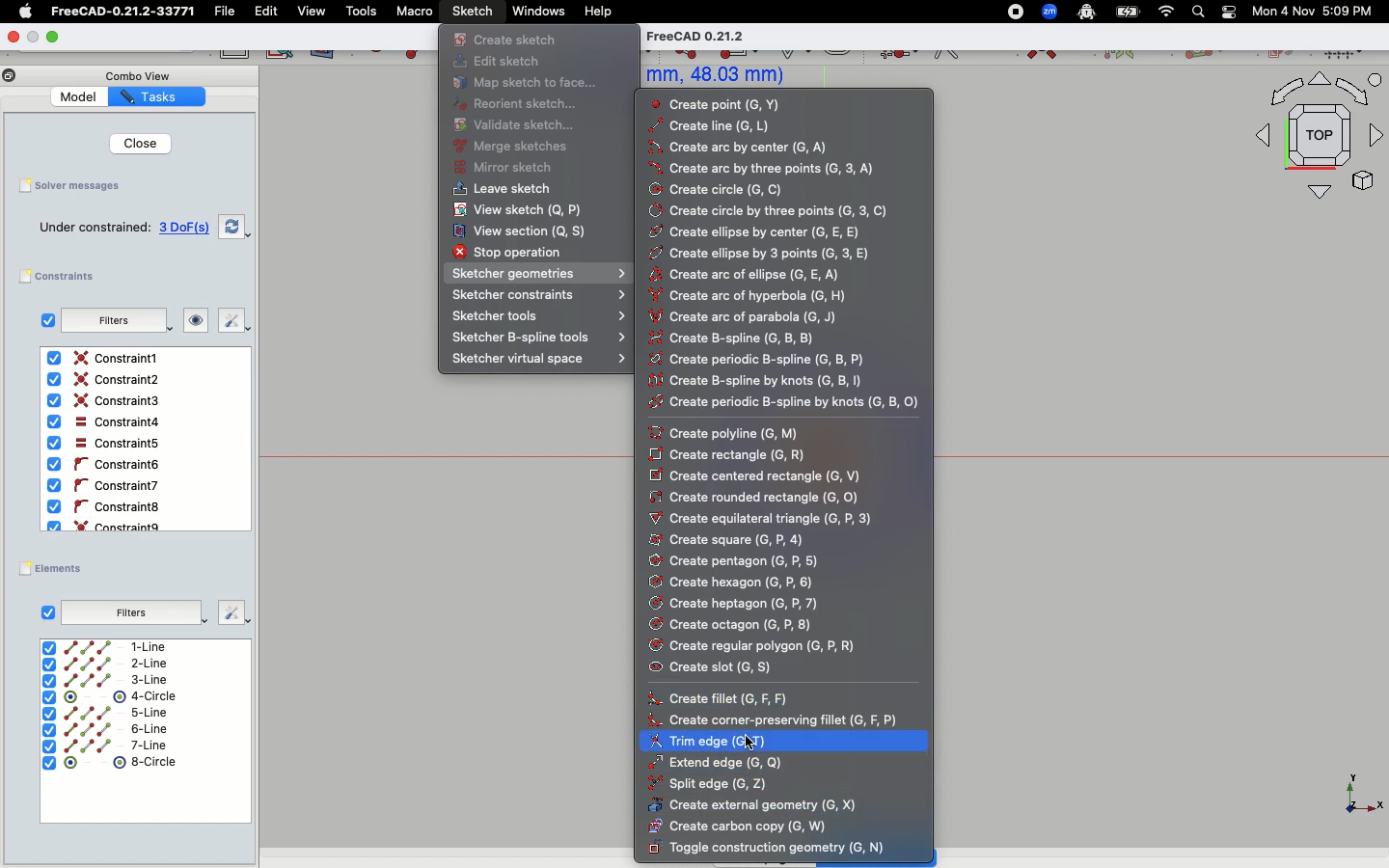 Image resolution: width=1389 pixels, height=868 pixels. Describe the element at coordinates (111, 697) in the screenshot. I see `4-Circle` at that location.